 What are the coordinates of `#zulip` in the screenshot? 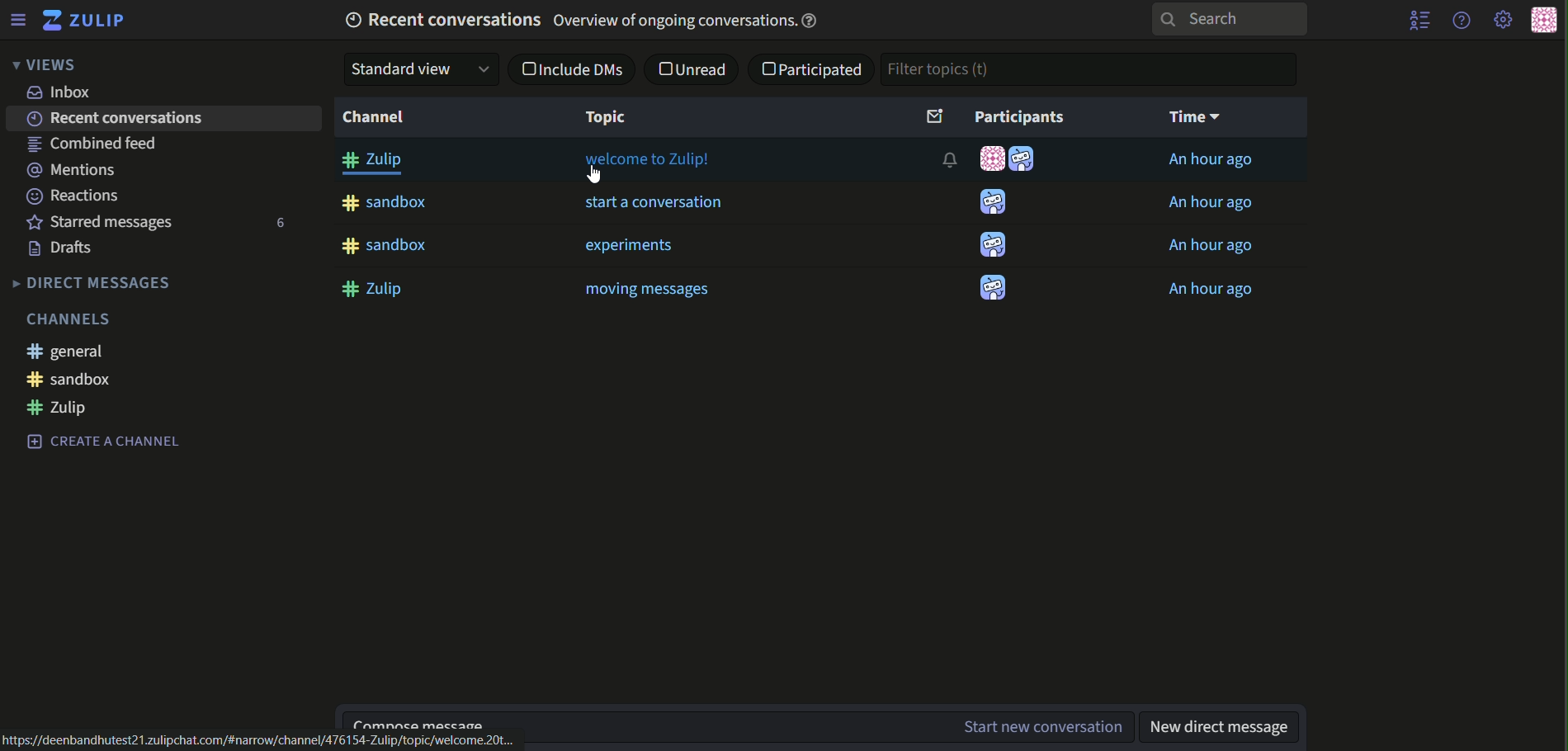 It's located at (377, 289).